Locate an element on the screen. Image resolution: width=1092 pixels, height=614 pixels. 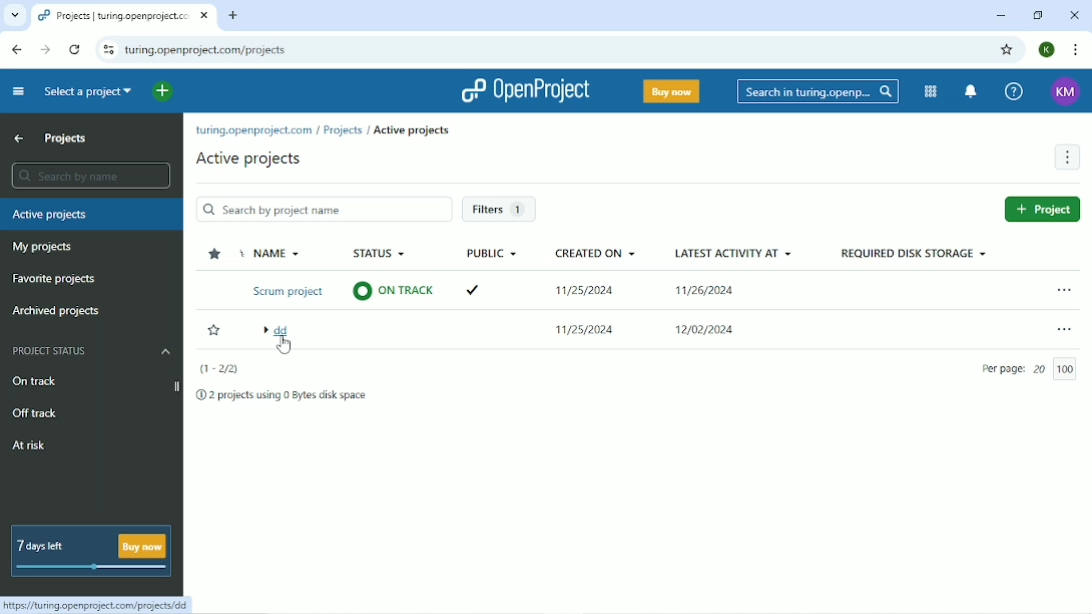
Active projects is located at coordinates (411, 132).